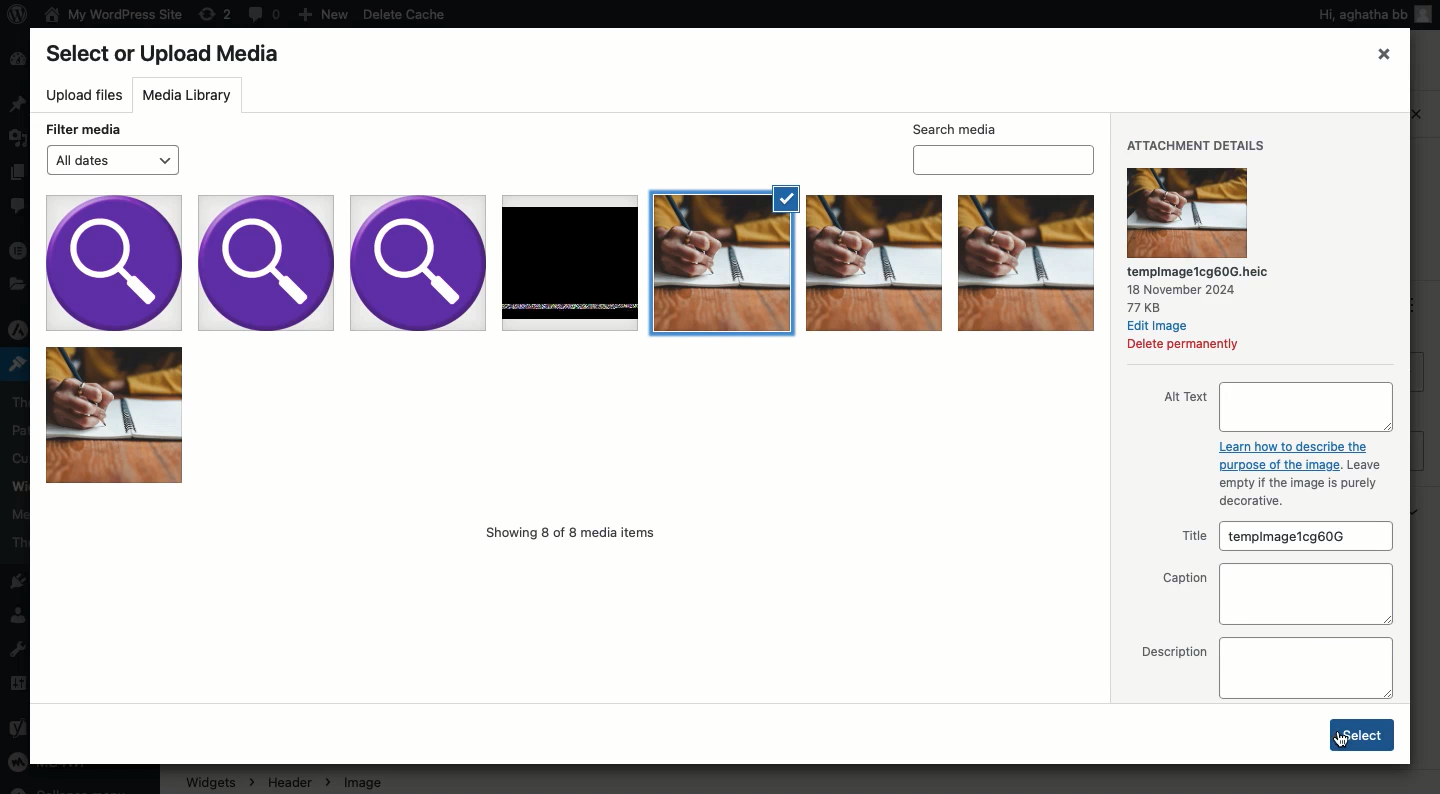  What do you see at coordinates (1161, 326) in the screenshot?
I see `Edit image` at bounding box center [1161, 326].